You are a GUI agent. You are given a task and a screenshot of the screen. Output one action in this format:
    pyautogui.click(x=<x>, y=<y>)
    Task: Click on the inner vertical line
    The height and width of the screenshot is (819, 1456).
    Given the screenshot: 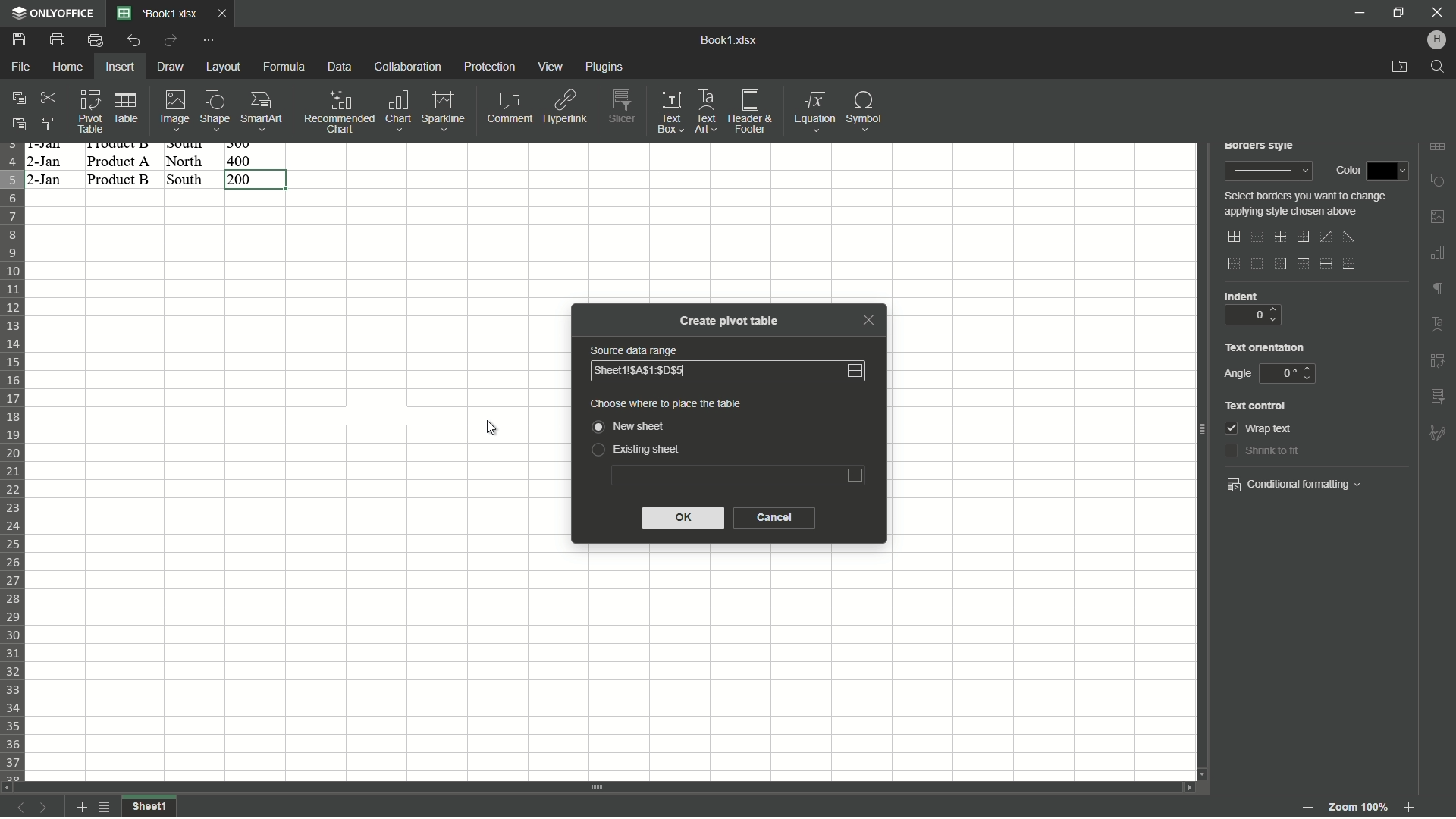 What is the action you would take?
    pyautogui.click(x=1256, y=263)
    